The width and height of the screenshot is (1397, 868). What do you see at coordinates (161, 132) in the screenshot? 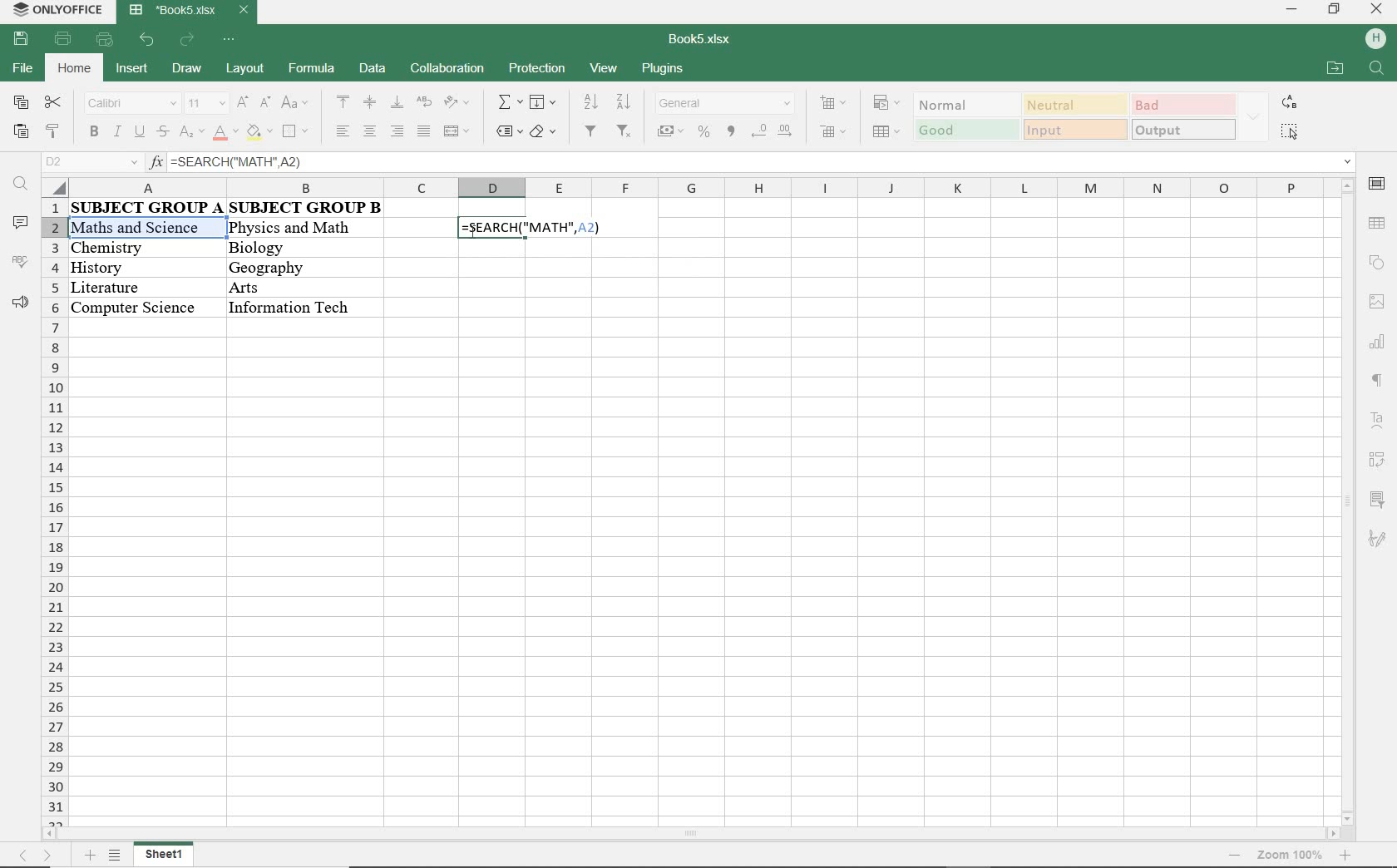
I see `strikethrough` at bounding box center [161, 132].